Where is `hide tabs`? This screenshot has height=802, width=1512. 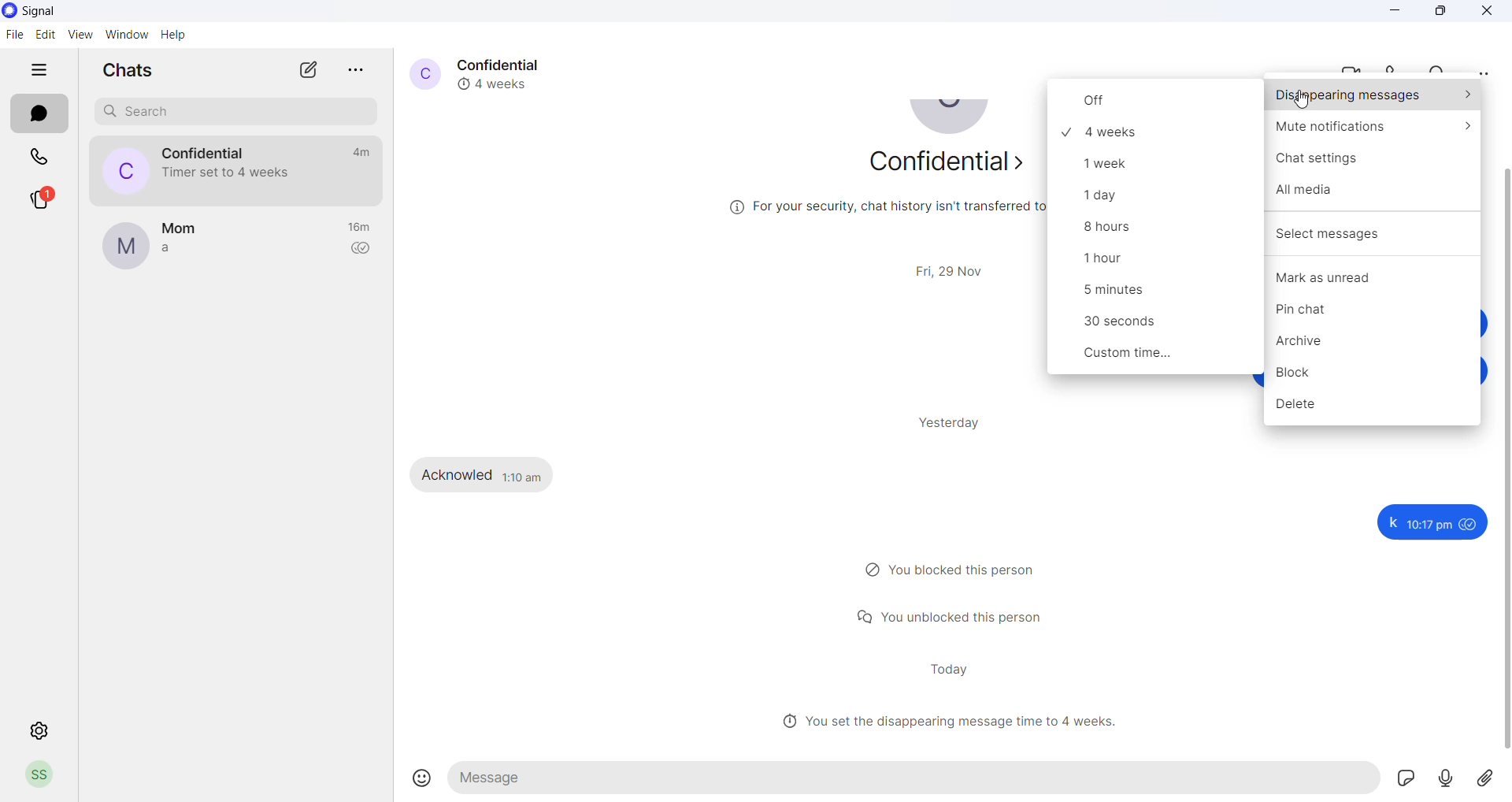 hide tabs is located at coordinates (37, 74).